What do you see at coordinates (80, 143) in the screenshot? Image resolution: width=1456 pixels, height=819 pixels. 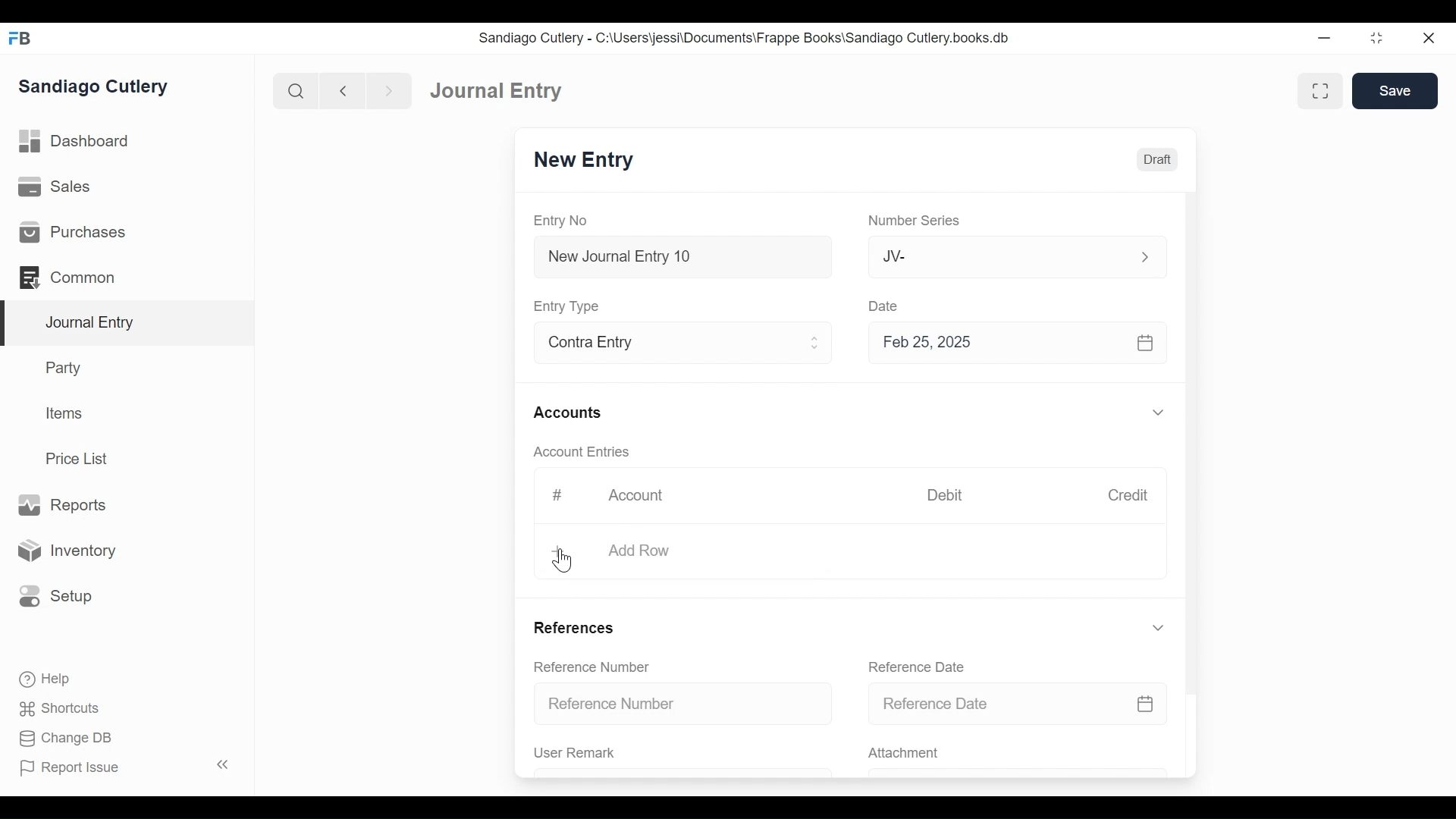 I see `Dashboard` at bounding box center [80, 143].